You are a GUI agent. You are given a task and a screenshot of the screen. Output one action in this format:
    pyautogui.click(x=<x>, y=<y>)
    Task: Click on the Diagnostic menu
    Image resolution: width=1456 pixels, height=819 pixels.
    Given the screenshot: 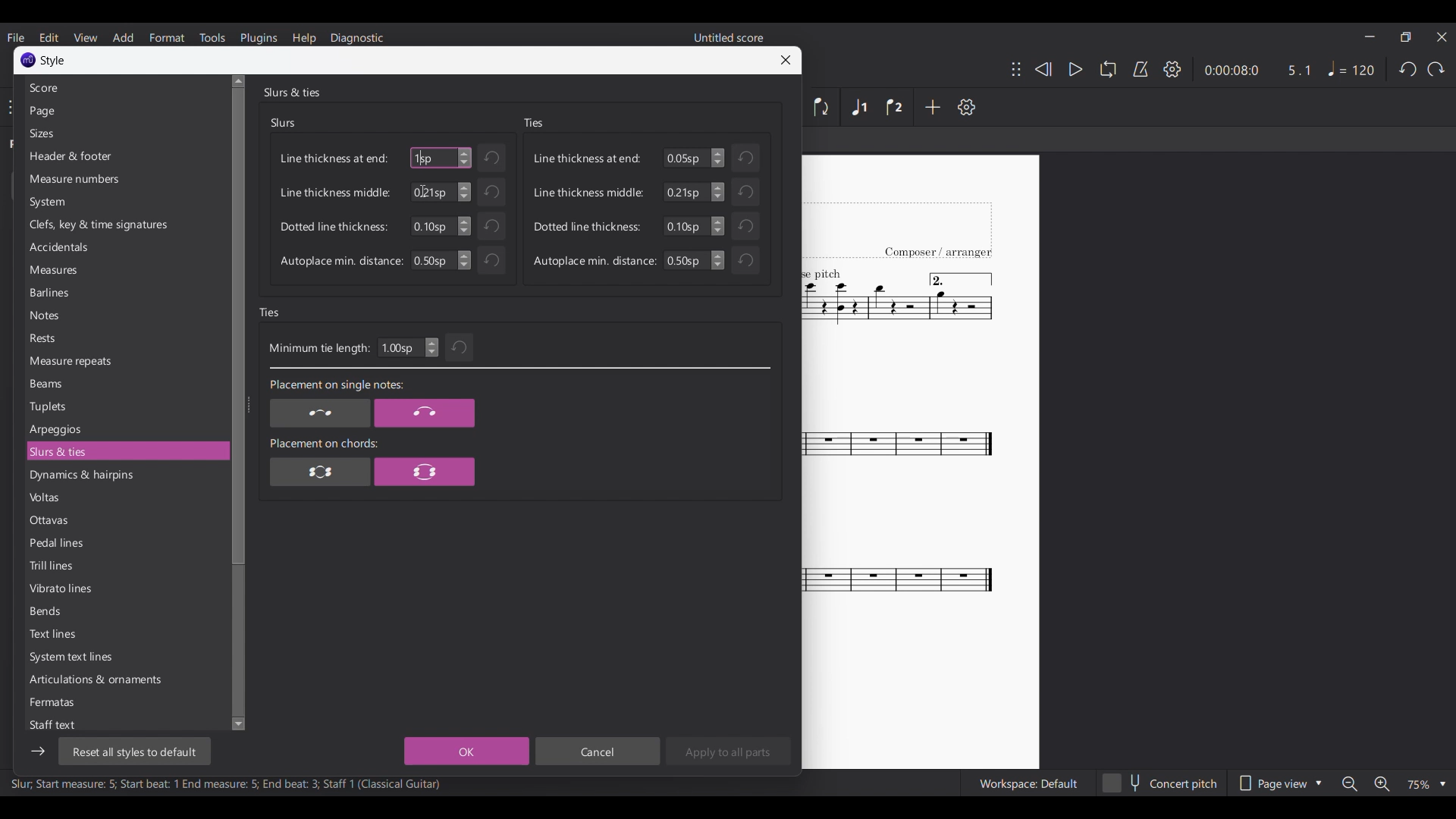 What is the action you would take?
    pyautogui.click(x=356, y=39)
    